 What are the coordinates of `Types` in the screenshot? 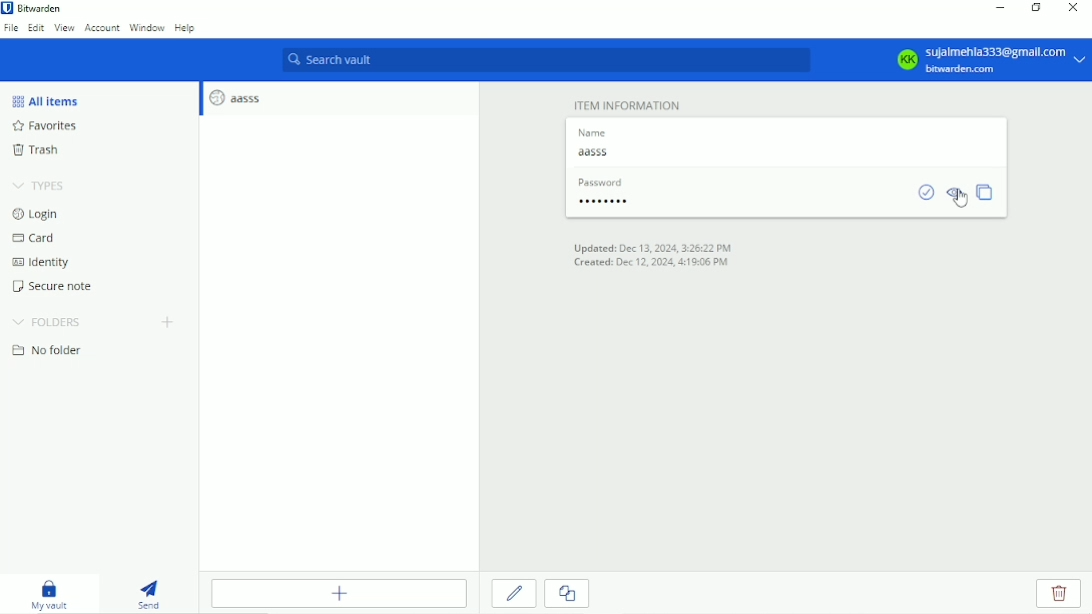 It's located at (39, 185).